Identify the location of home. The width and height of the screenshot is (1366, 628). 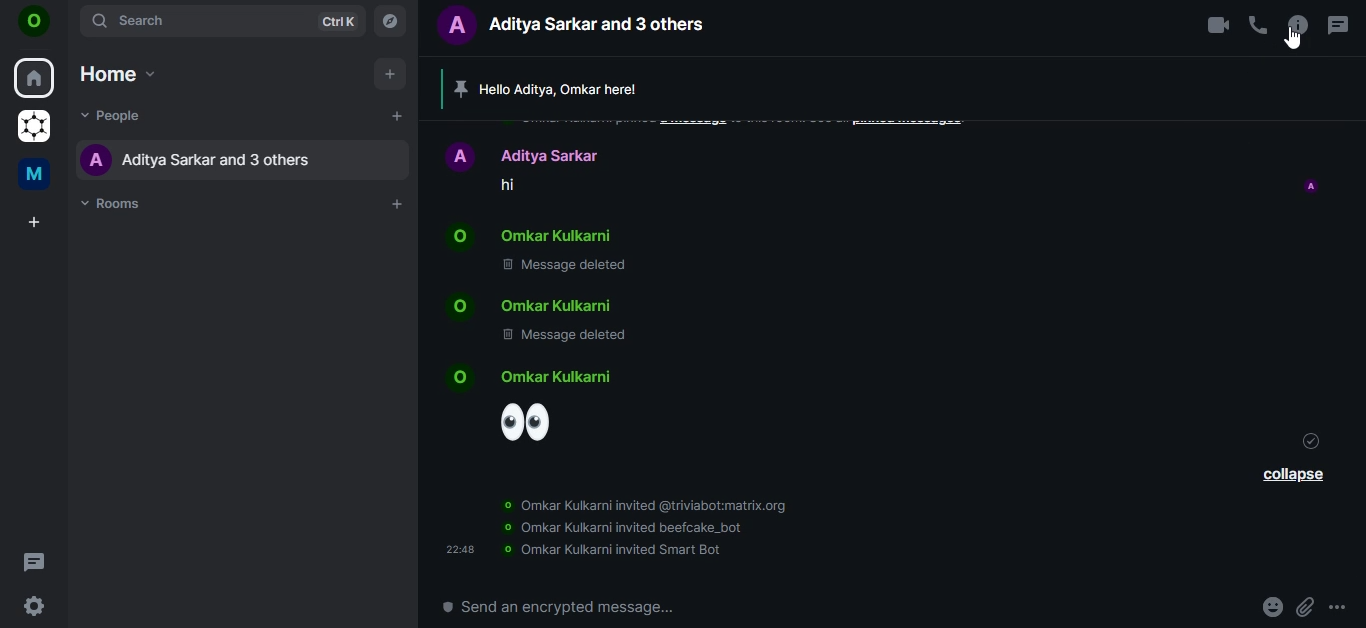
(35, 76).